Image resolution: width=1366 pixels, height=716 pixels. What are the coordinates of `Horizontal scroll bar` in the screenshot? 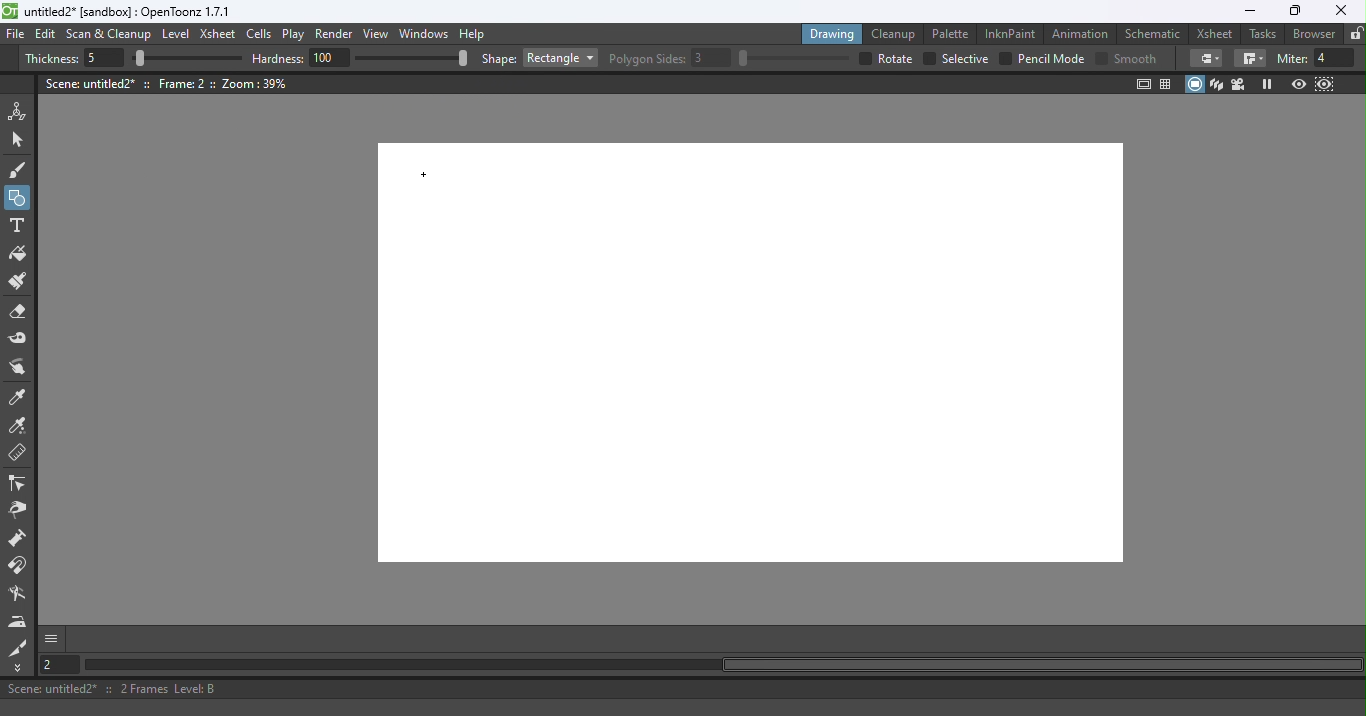 It's located at (722, 665).